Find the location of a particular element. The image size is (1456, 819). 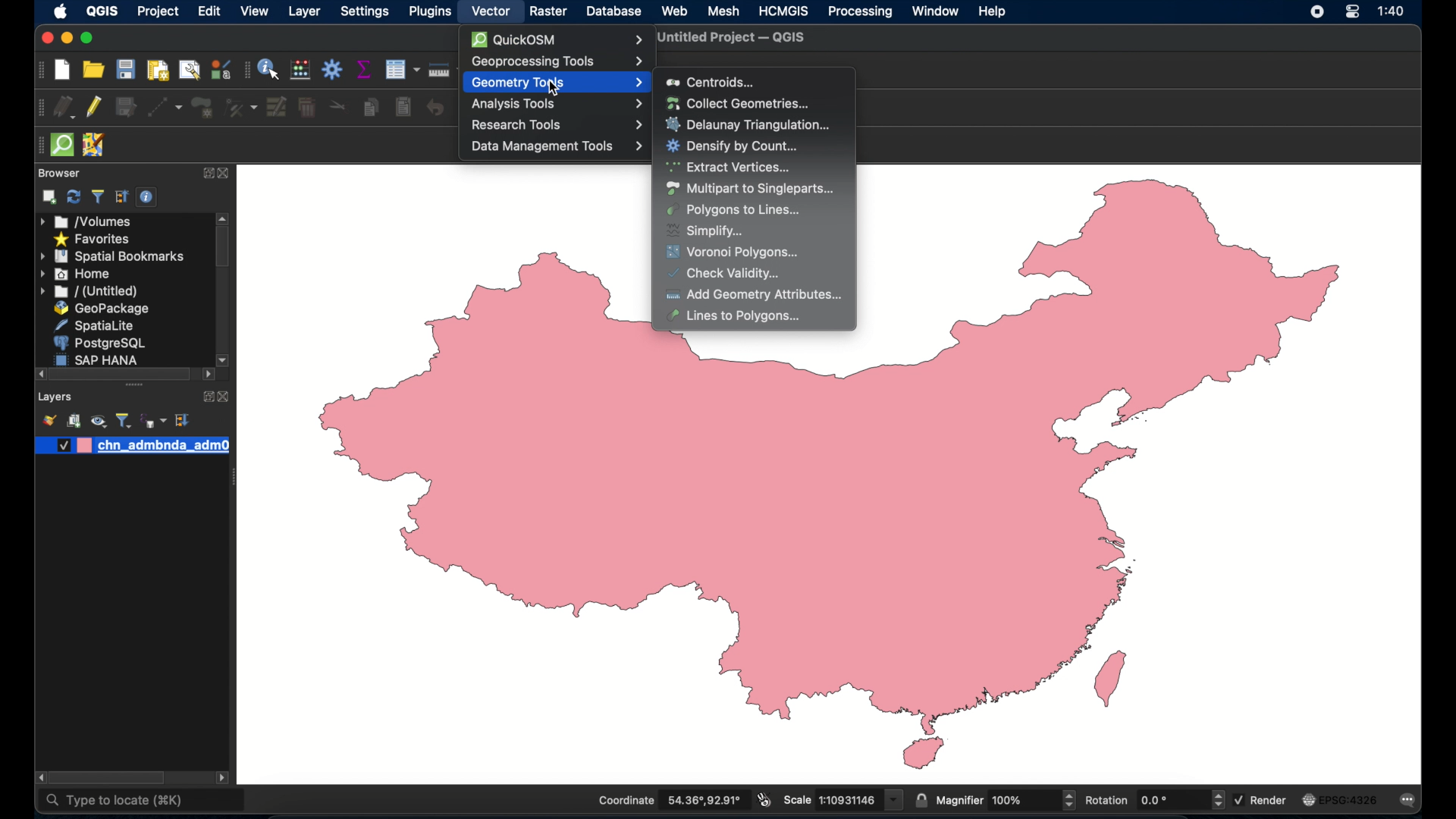

copy features is located at coordinates (371, 105).